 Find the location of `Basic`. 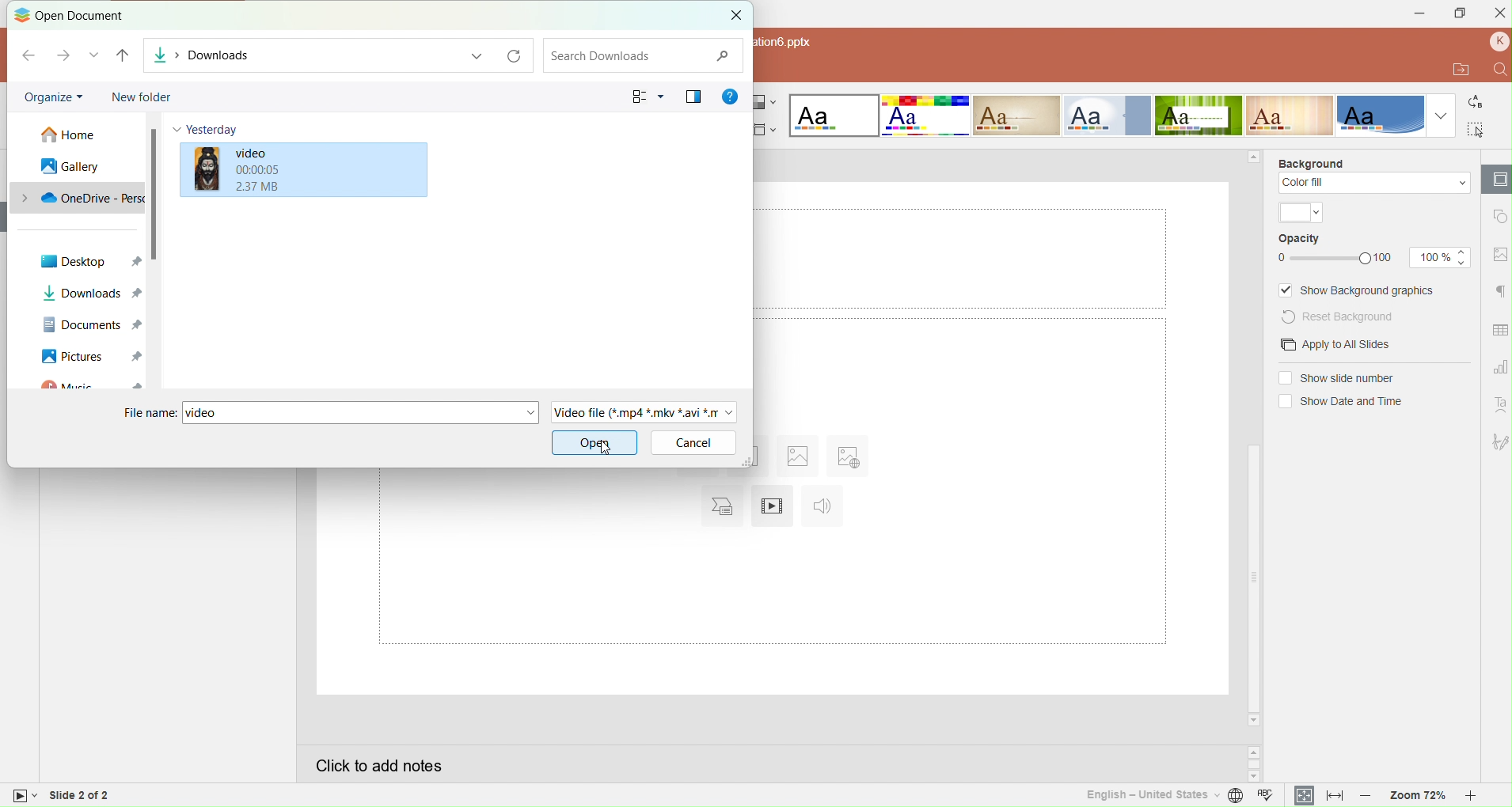

Basic is located at coordinates (926, 115).